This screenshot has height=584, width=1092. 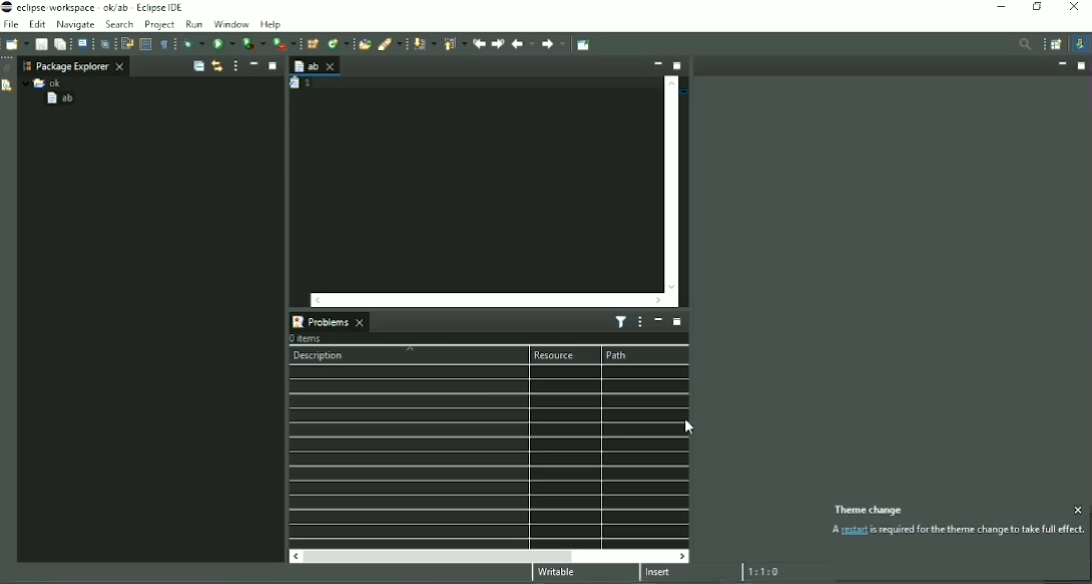 What do you see at coordinates (315, 64) in the screenshot?
I see `ab` at bounding box center [315, 64].